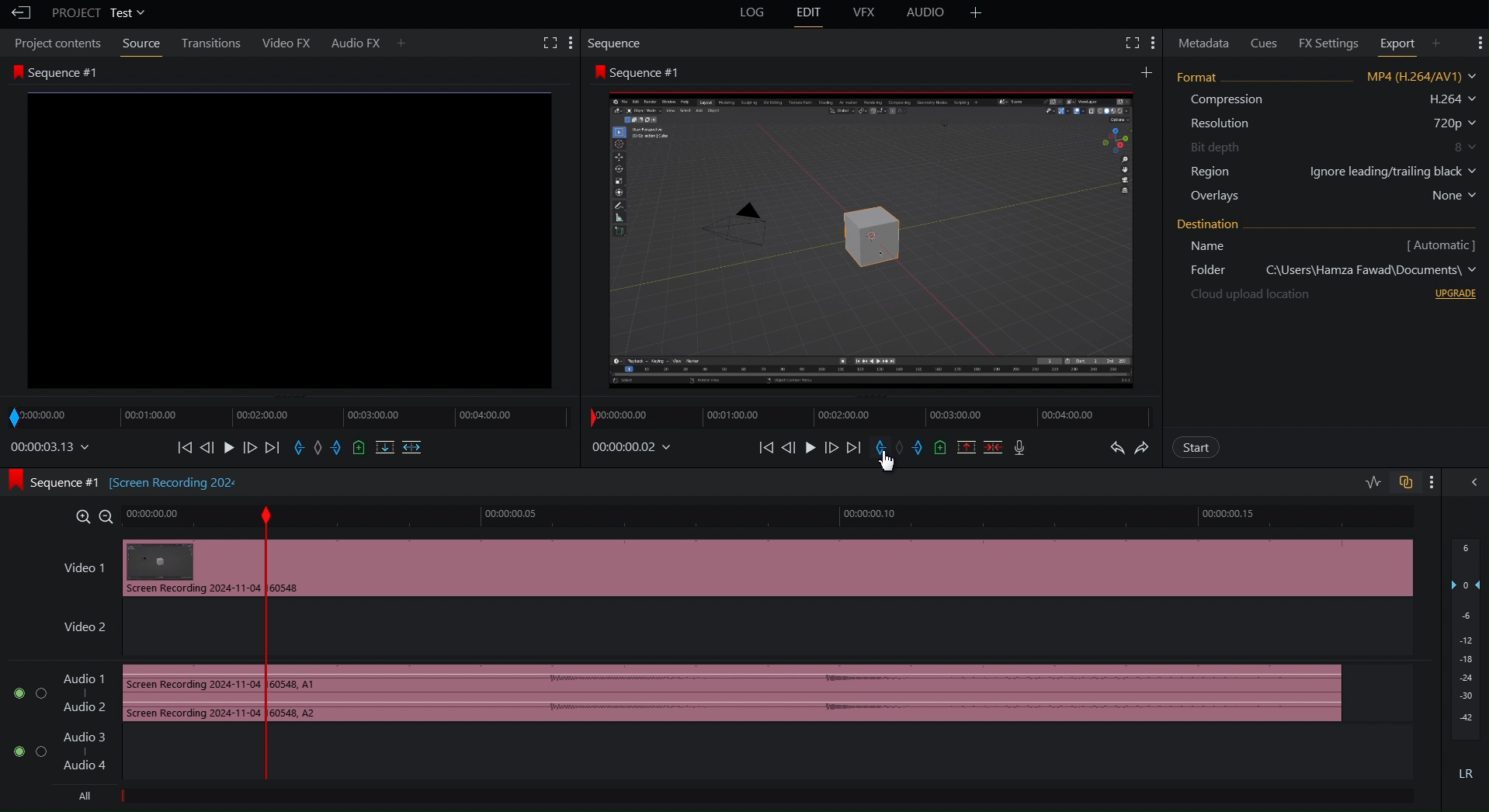 This screenshot has height=812, width=1489. What do you see at coordinates (1196, 447) in the screenshot?
I see `Start` at bounding box center [1196, 447].